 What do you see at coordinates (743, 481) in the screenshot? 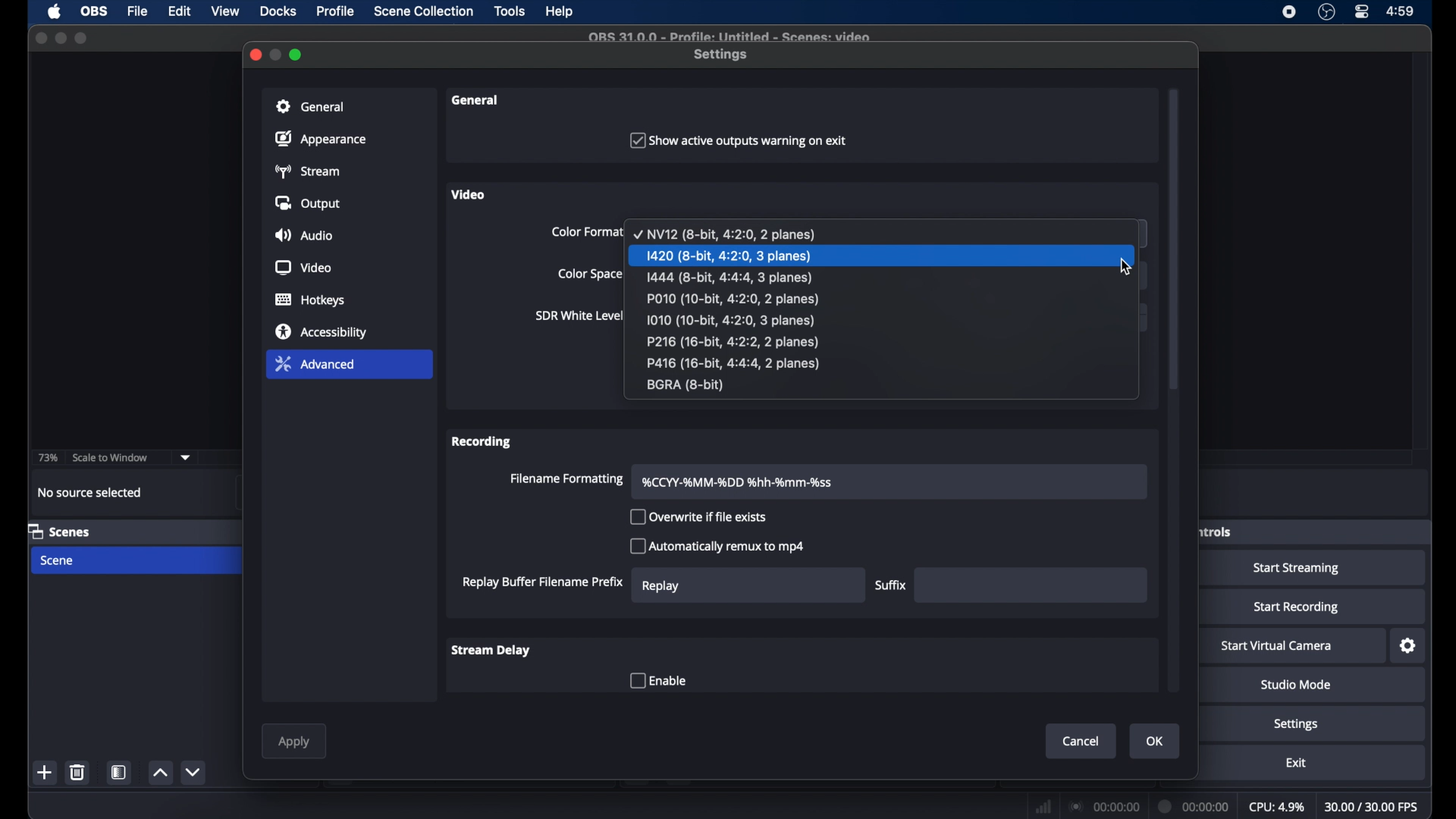
I see `%CCYY-%MM-%DD %hh-%mm-%ss` at bounding box center [743, 481].